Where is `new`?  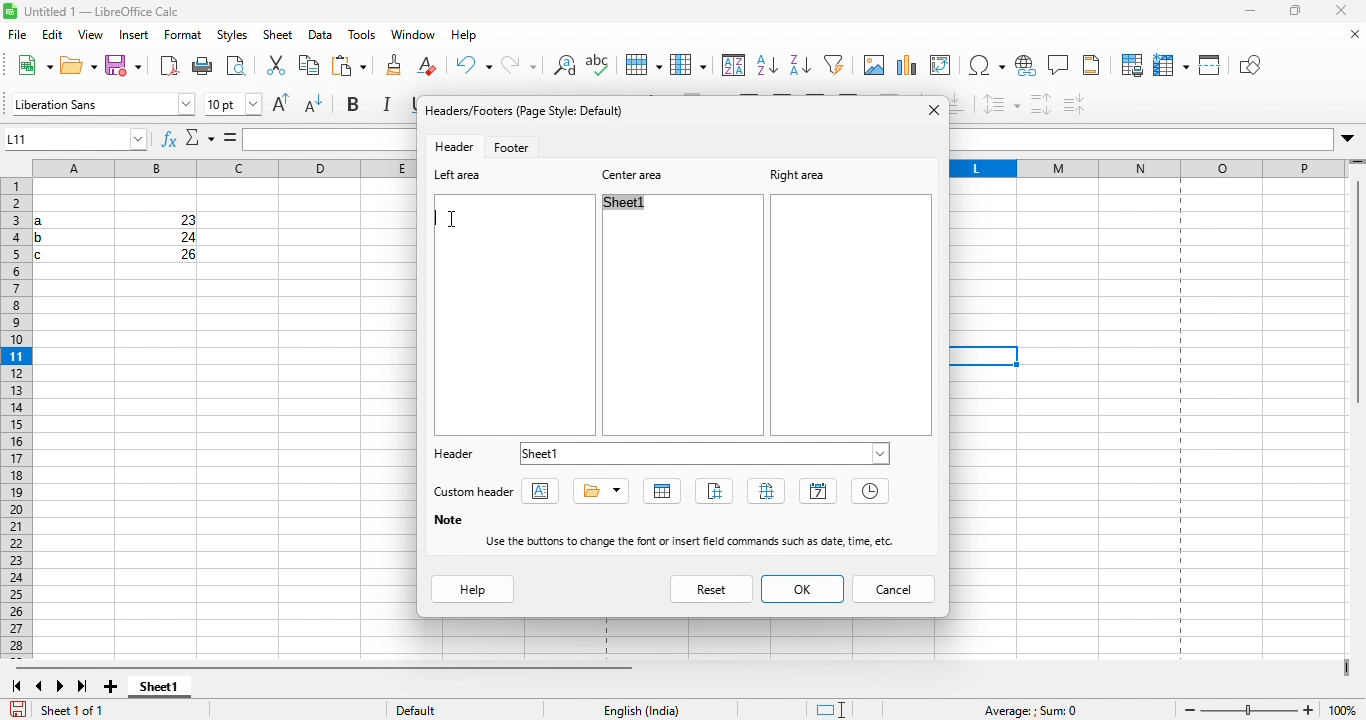 new is located at coordinates (33, 66).